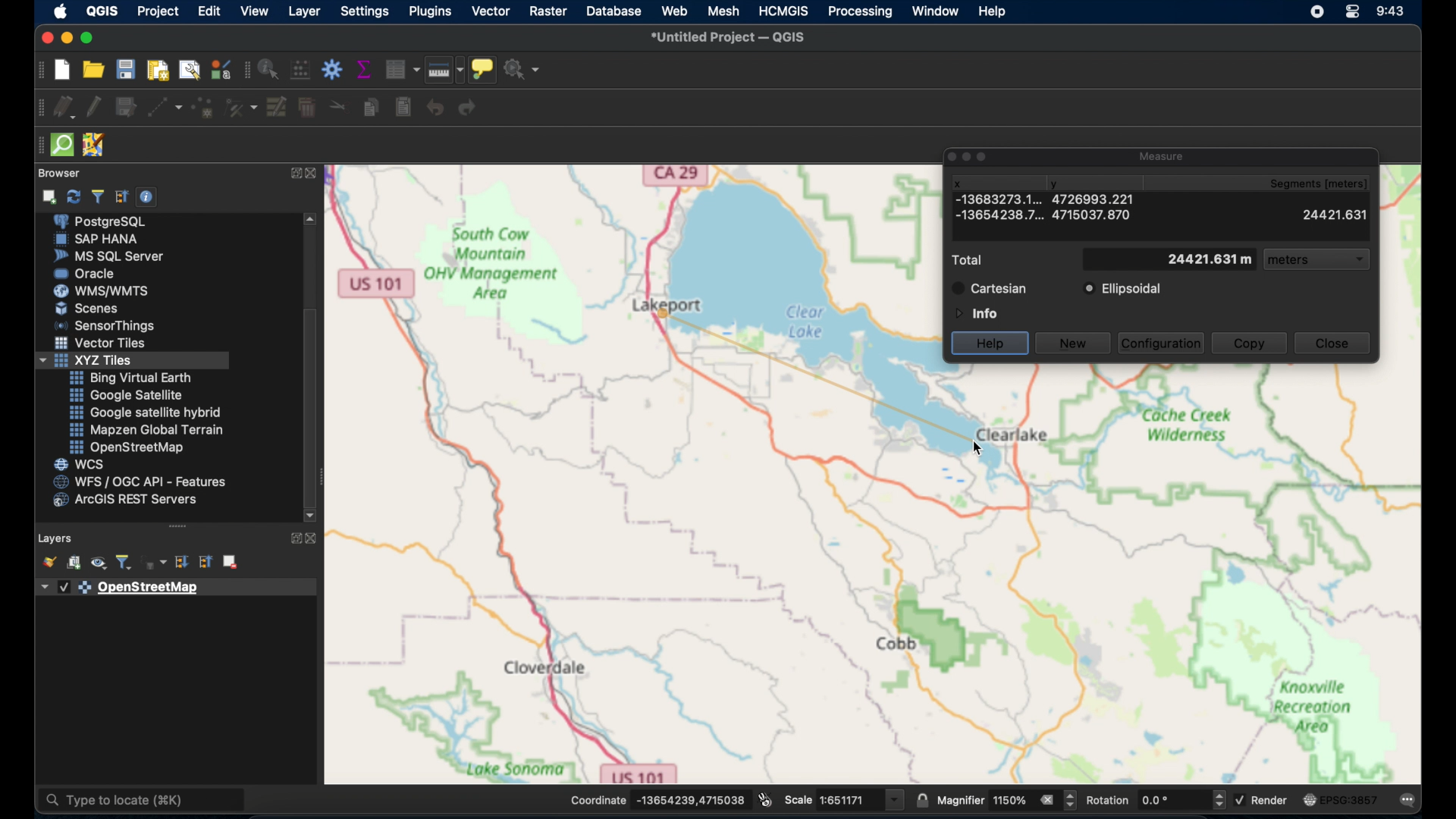  What do you see at coordinates (1122, 289) in the screenshot?
I see `ellipsoidal radio button` at bounding box center [1122, 289].